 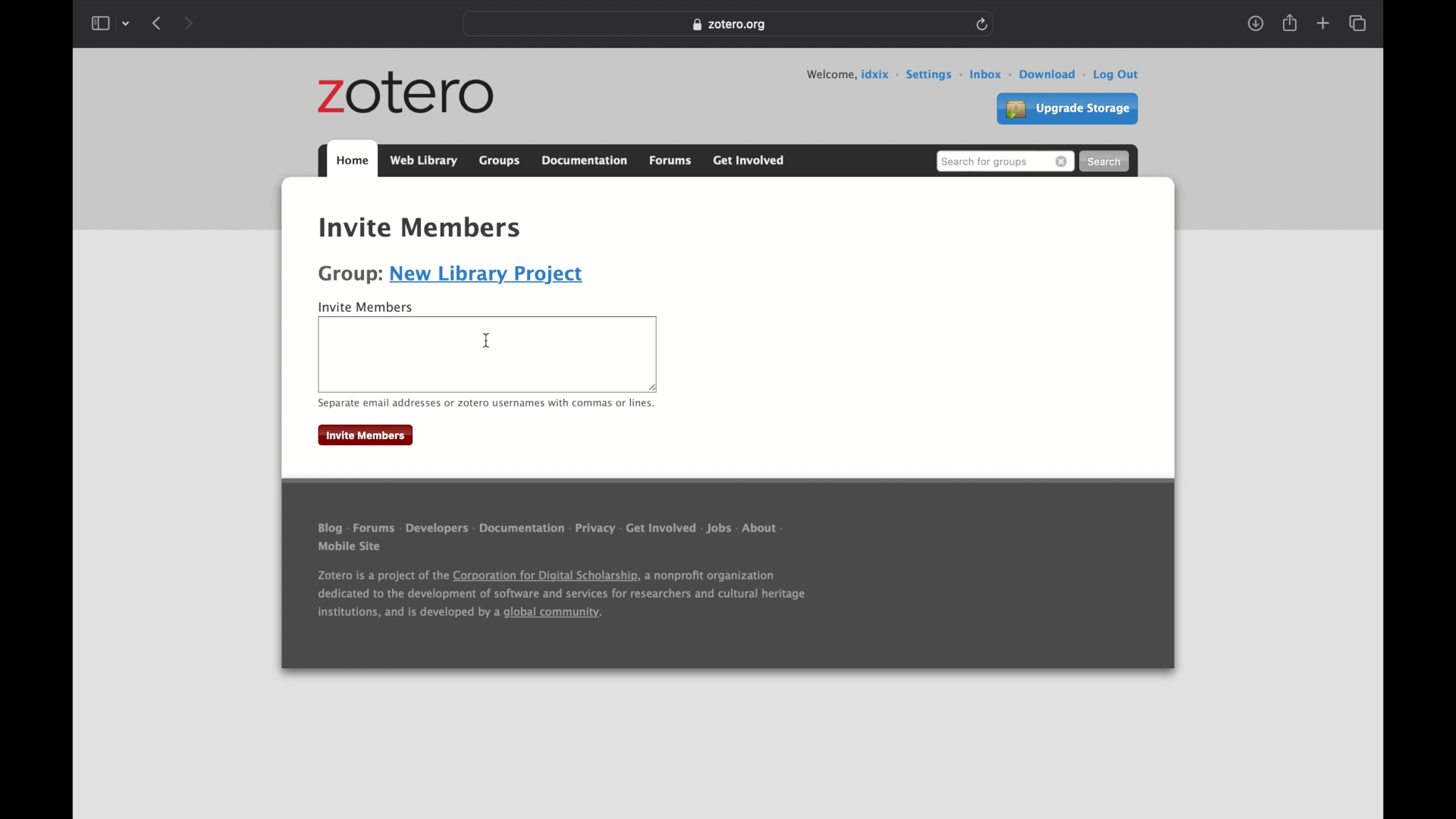 I want to click on jobs, so click(x=718, y=529).